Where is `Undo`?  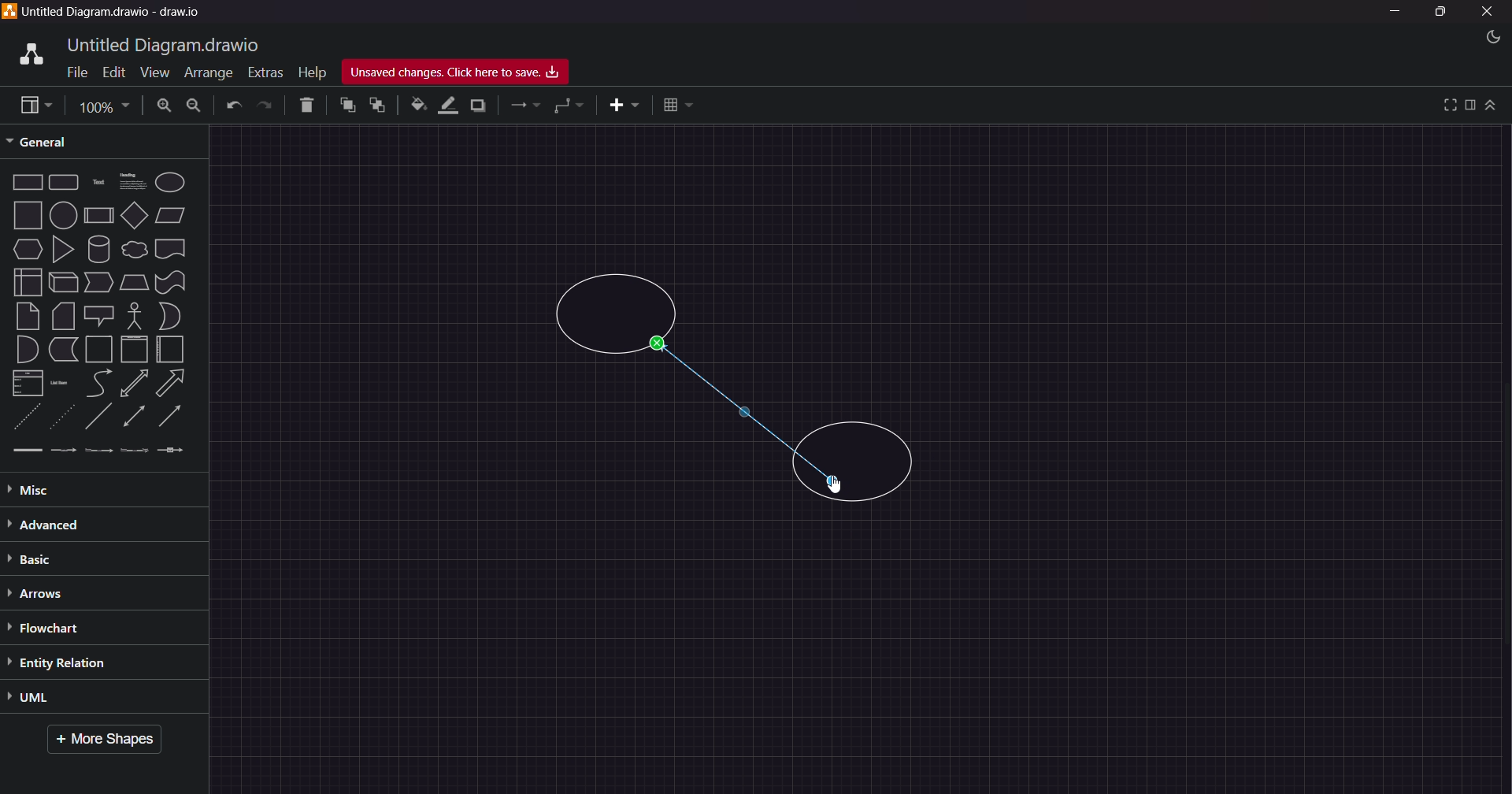
Undo is located at coordinates (233, 106).